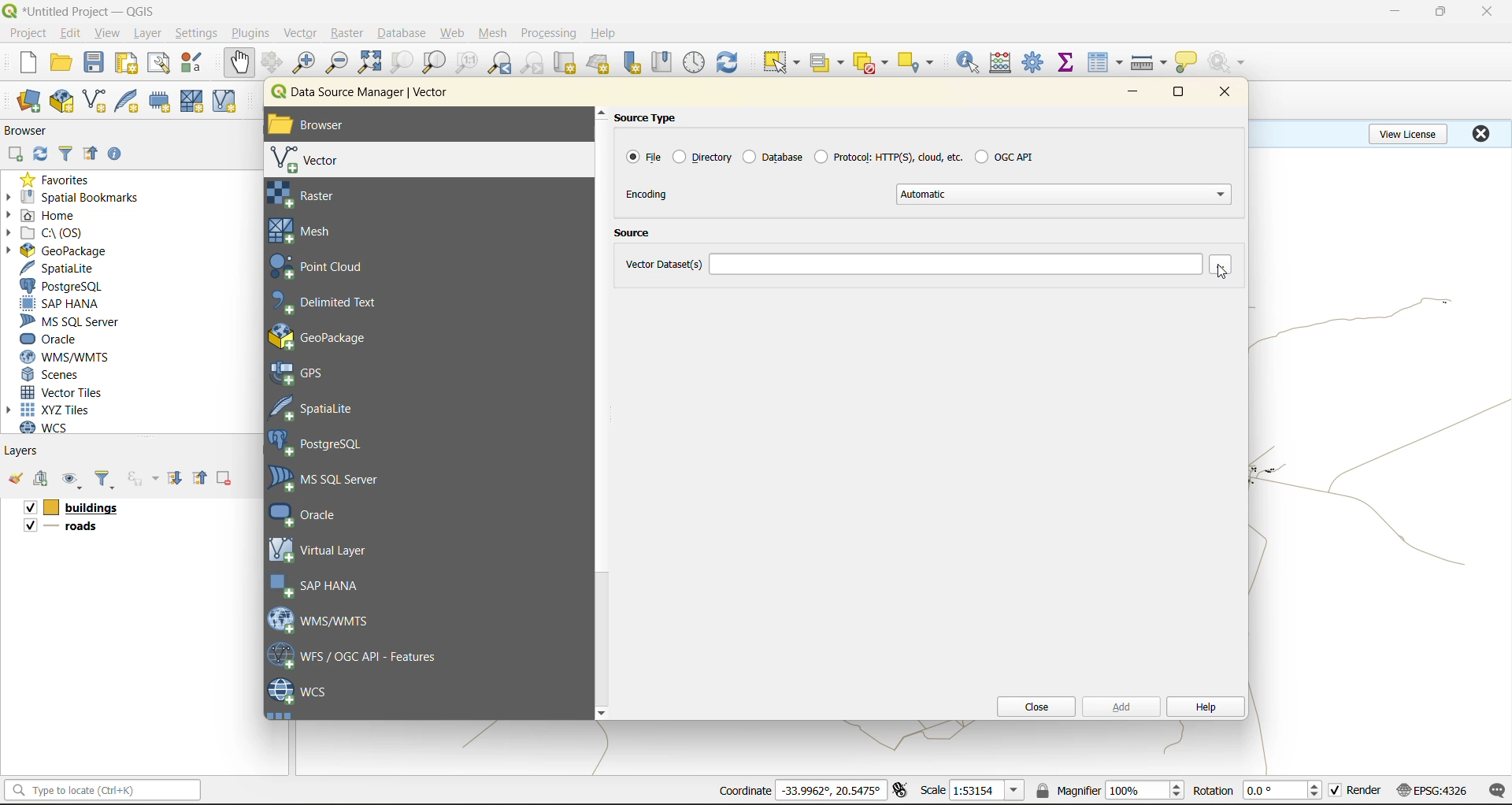 The width and height of the screenshot is (1512, 805). Describe the element at coordinates (633, 63) in the screenshot. I see `new spatial bookmark` at that location.